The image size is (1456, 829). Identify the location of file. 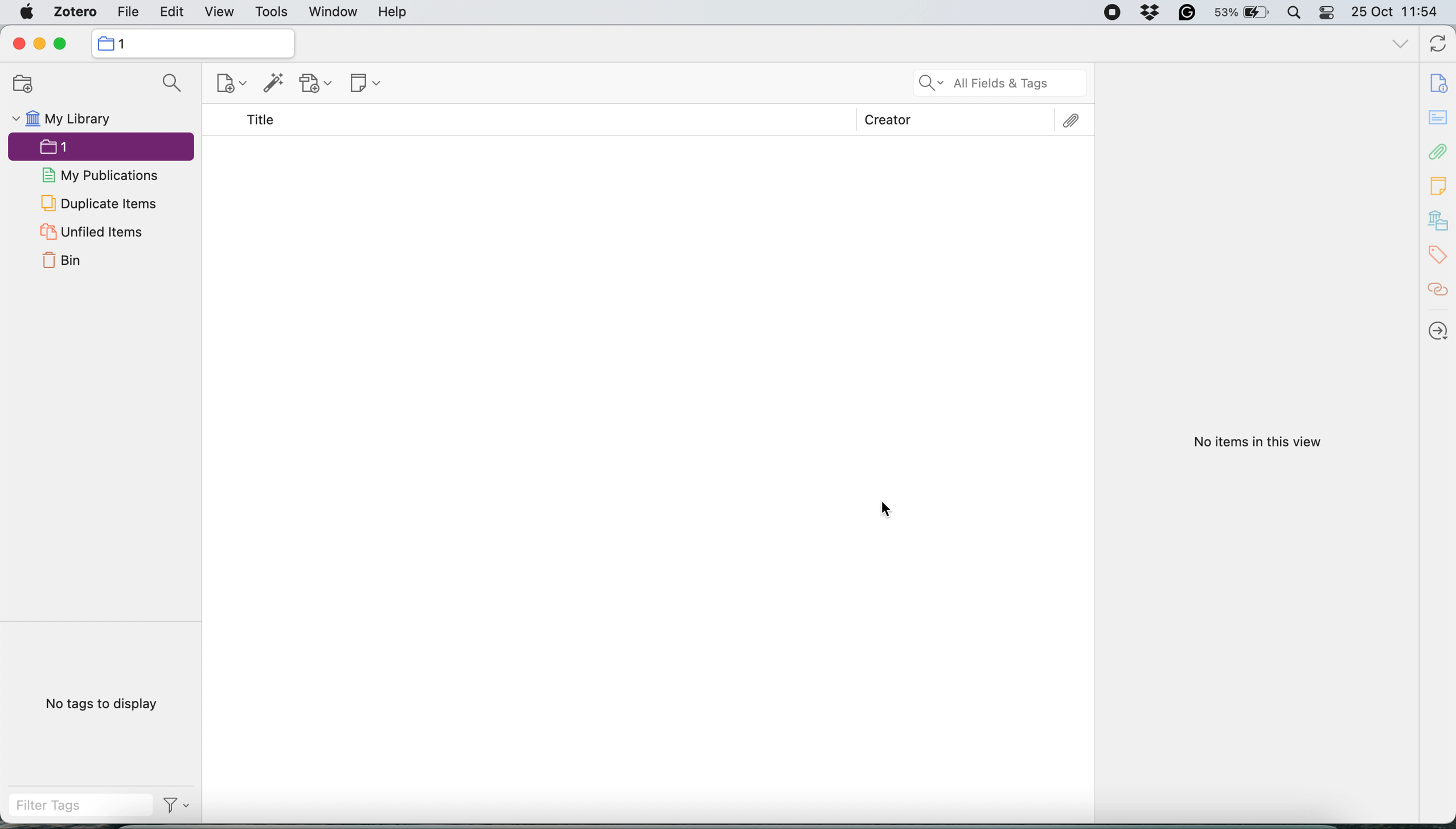
(126, 11).